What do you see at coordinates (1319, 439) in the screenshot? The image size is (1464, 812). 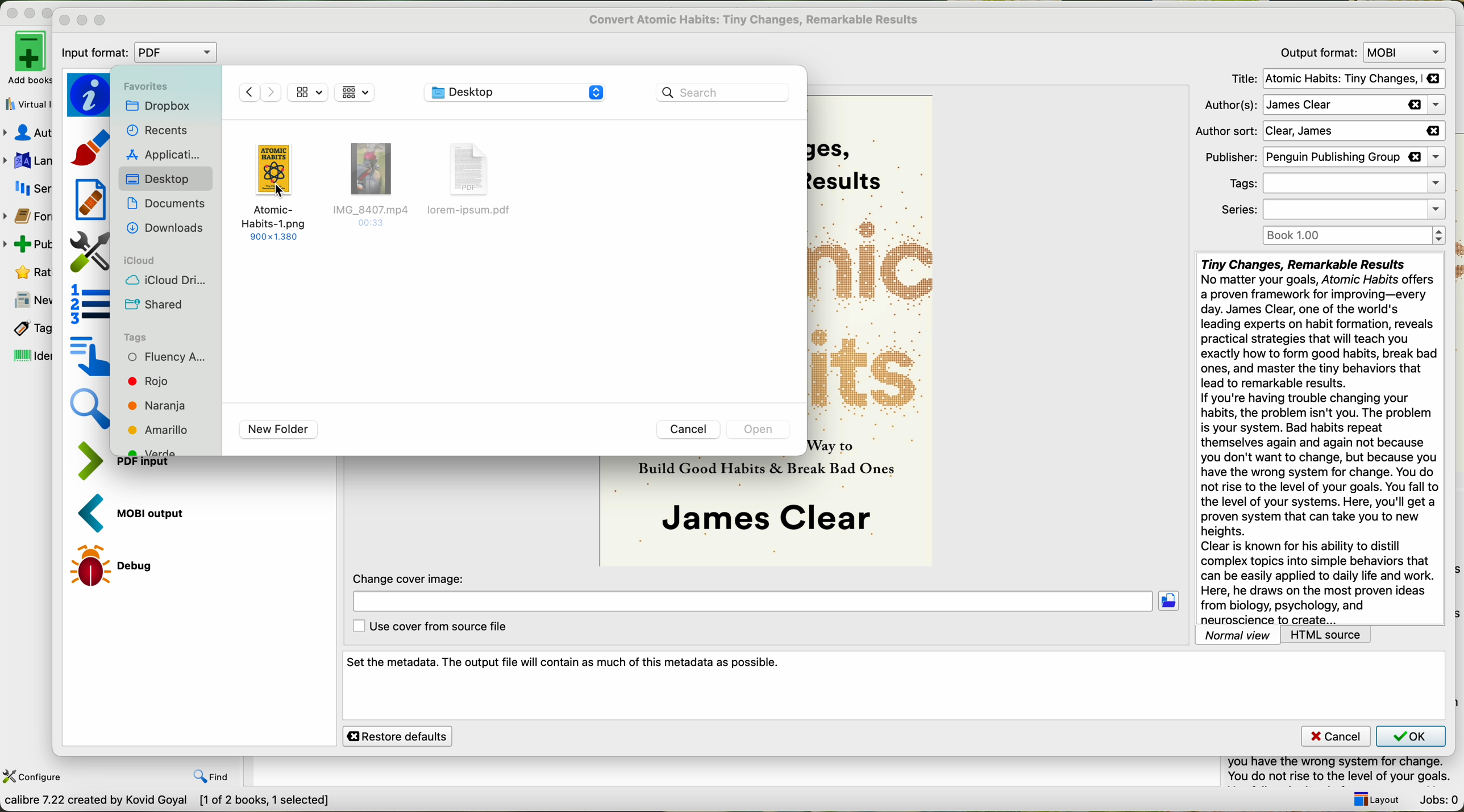 I see `synopsis` at bounding box center [1319, 439].